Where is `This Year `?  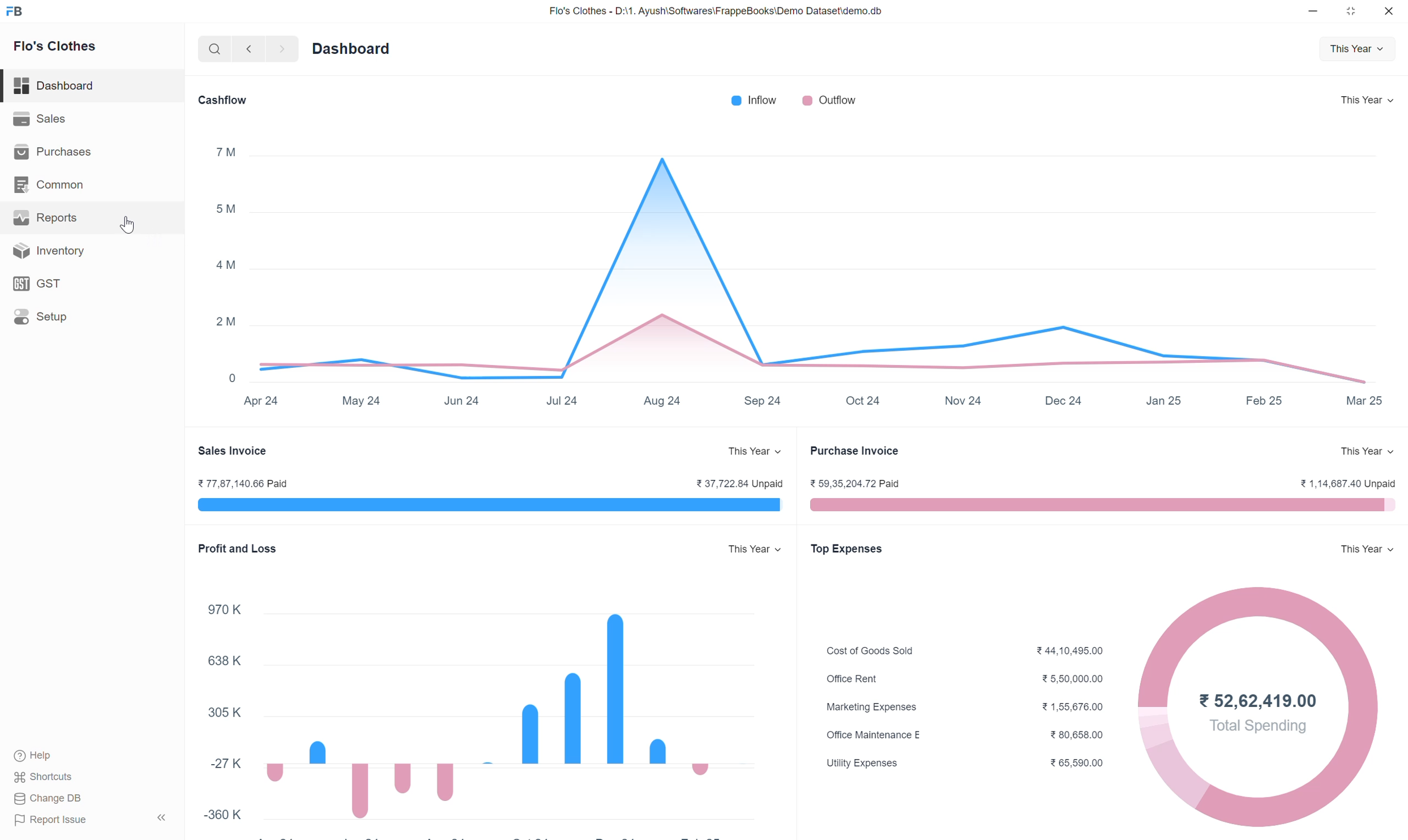 This Year  is located at coordinates (1360, 452).